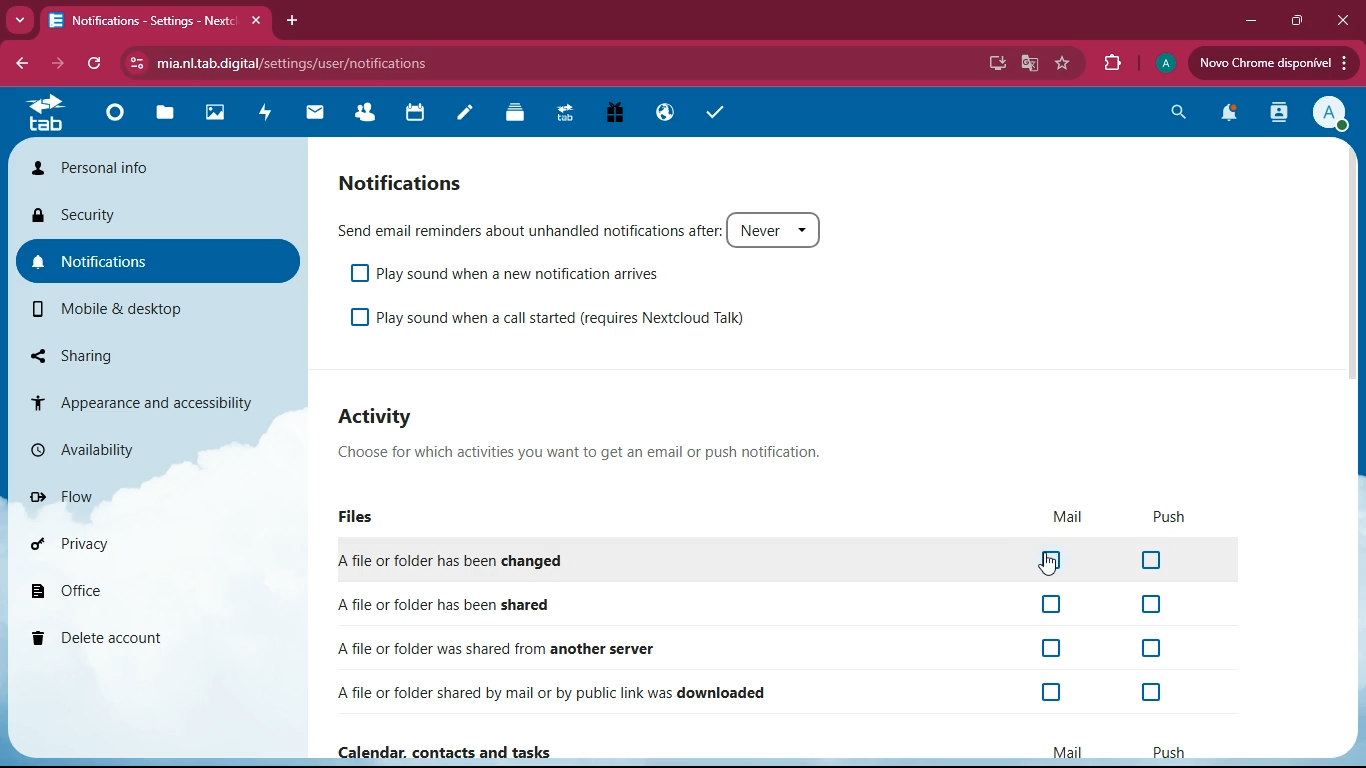 This screenshot has height=768, width=1366. Describe the element at coordinates (275, 63) in the screenshot. I see `url` at that location.